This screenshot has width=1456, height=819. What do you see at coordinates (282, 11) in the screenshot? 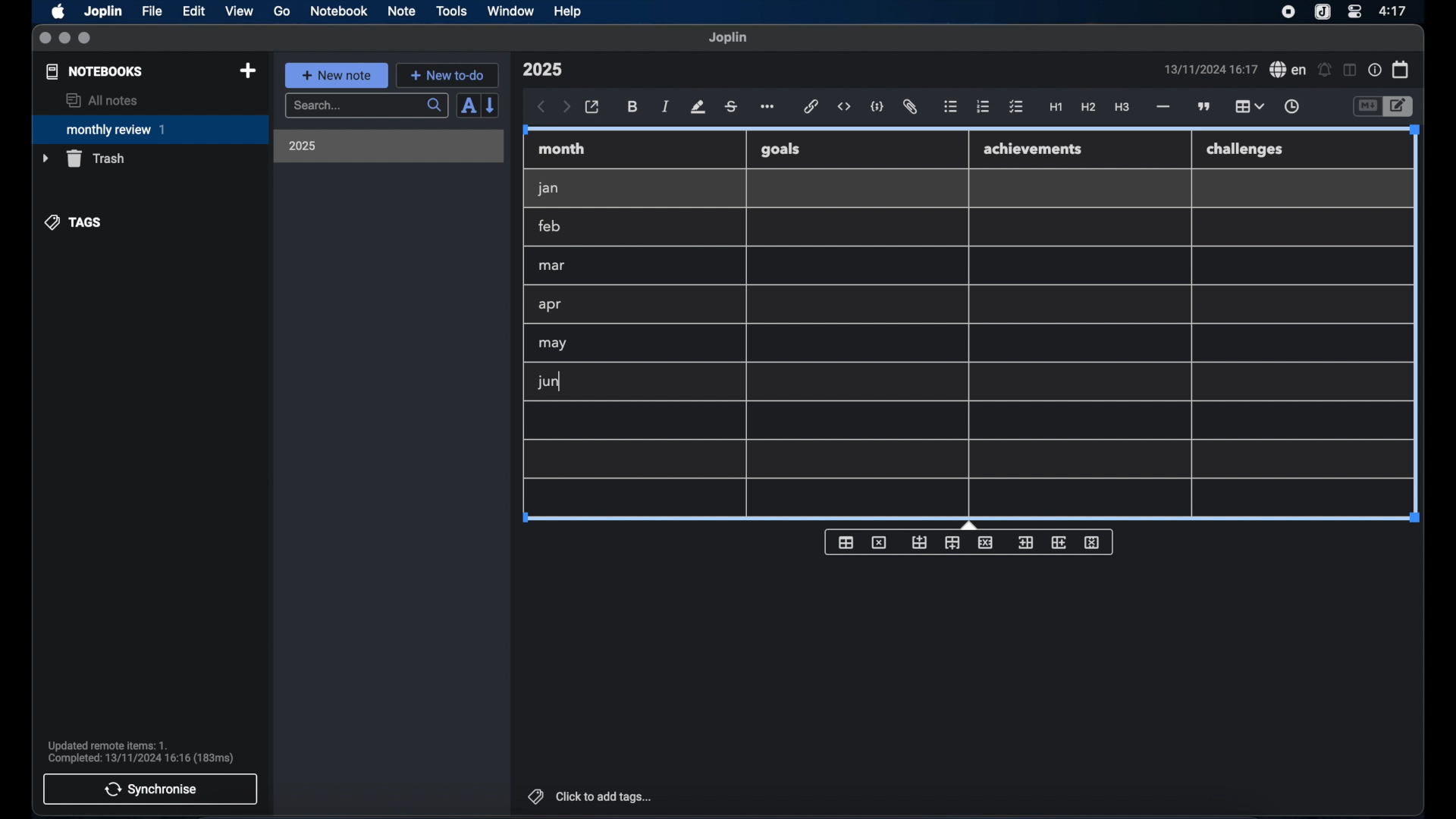
I see `go` at bounding box center [282, 11].